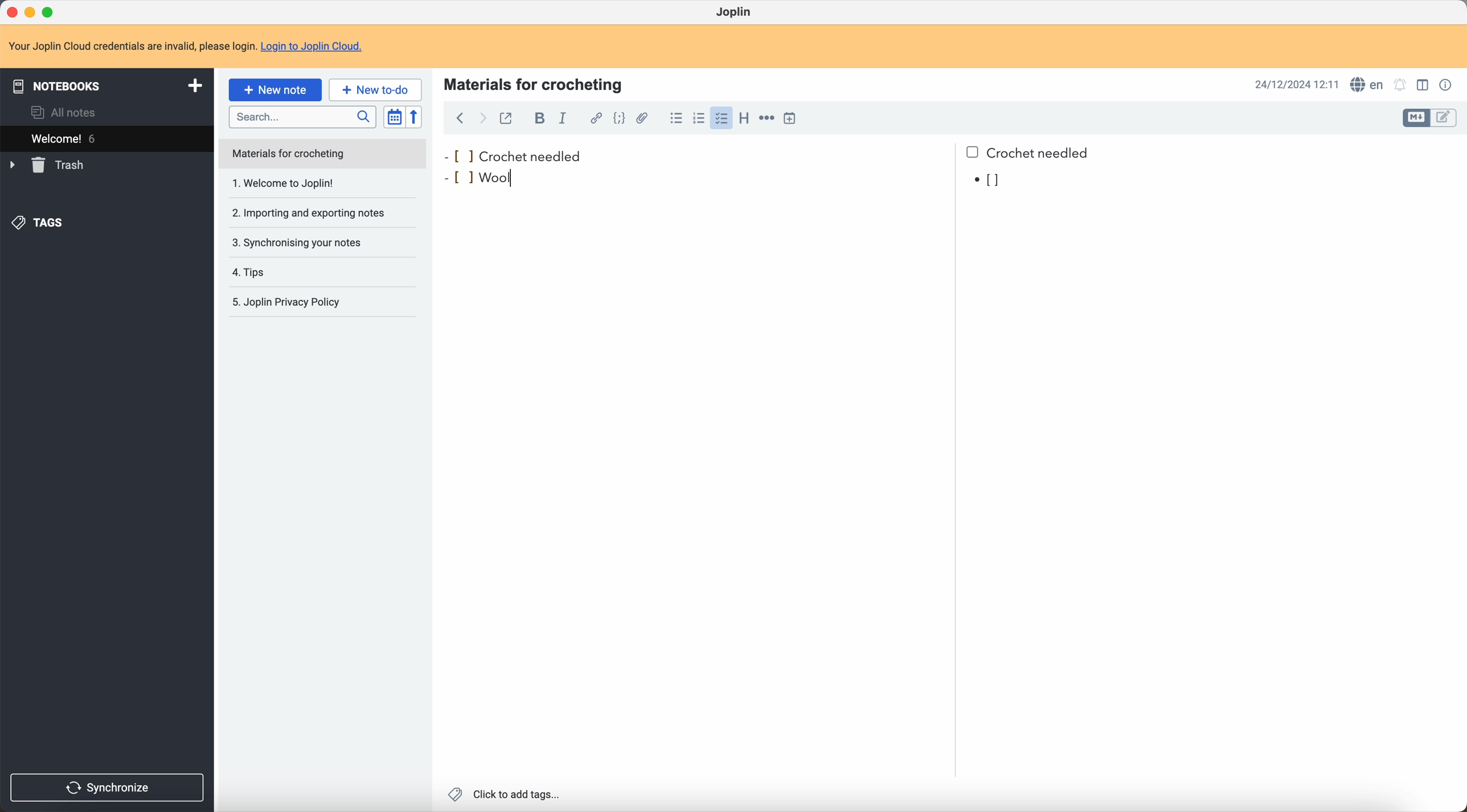 The height and width of the screenshot is (812, 1467). What do you see at coordinates (67, 112) in the screenshot?
I see `all notes` at bounding box center [67, 112].